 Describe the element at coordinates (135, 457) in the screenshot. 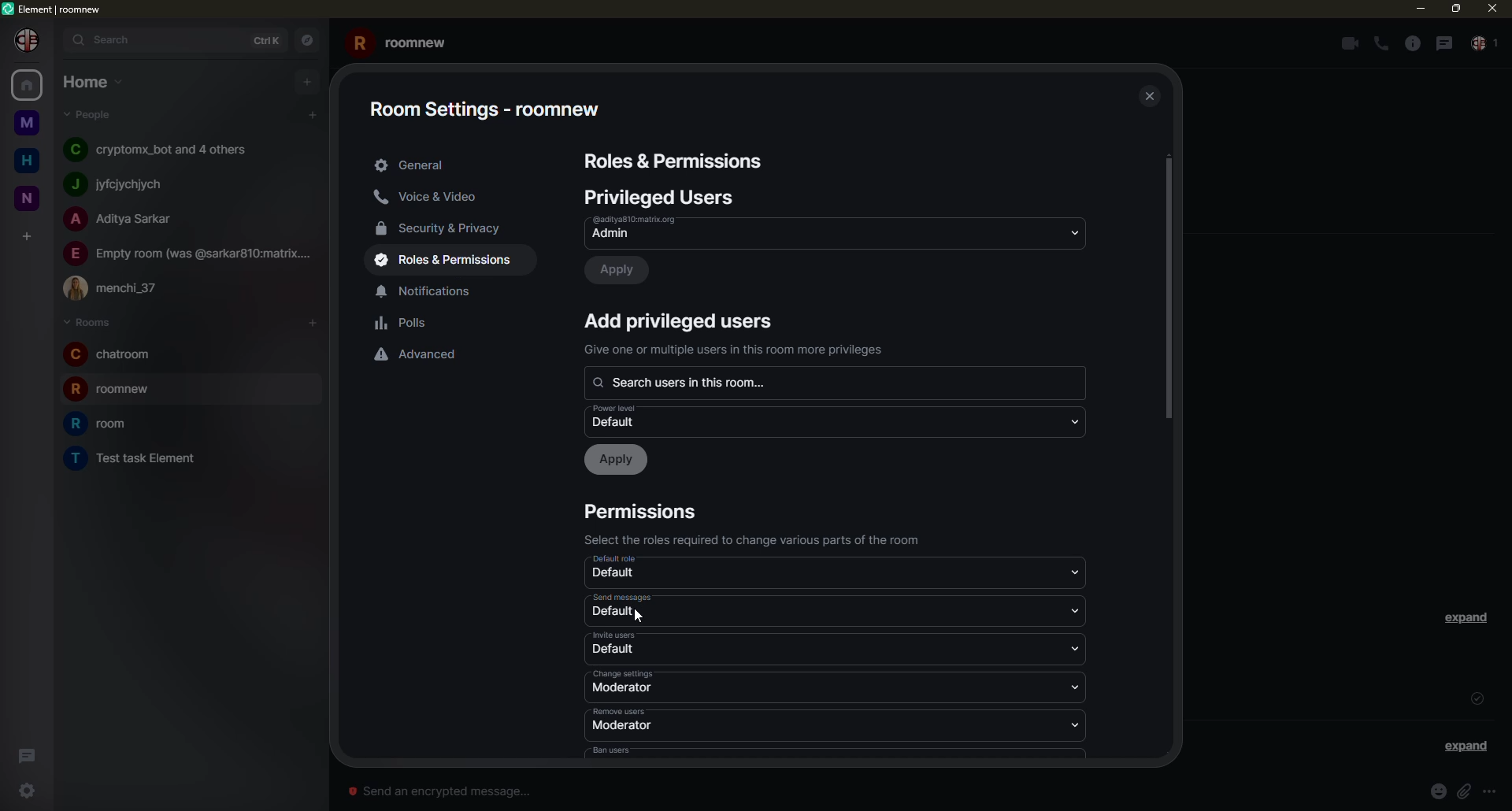

I see `room` at that location.